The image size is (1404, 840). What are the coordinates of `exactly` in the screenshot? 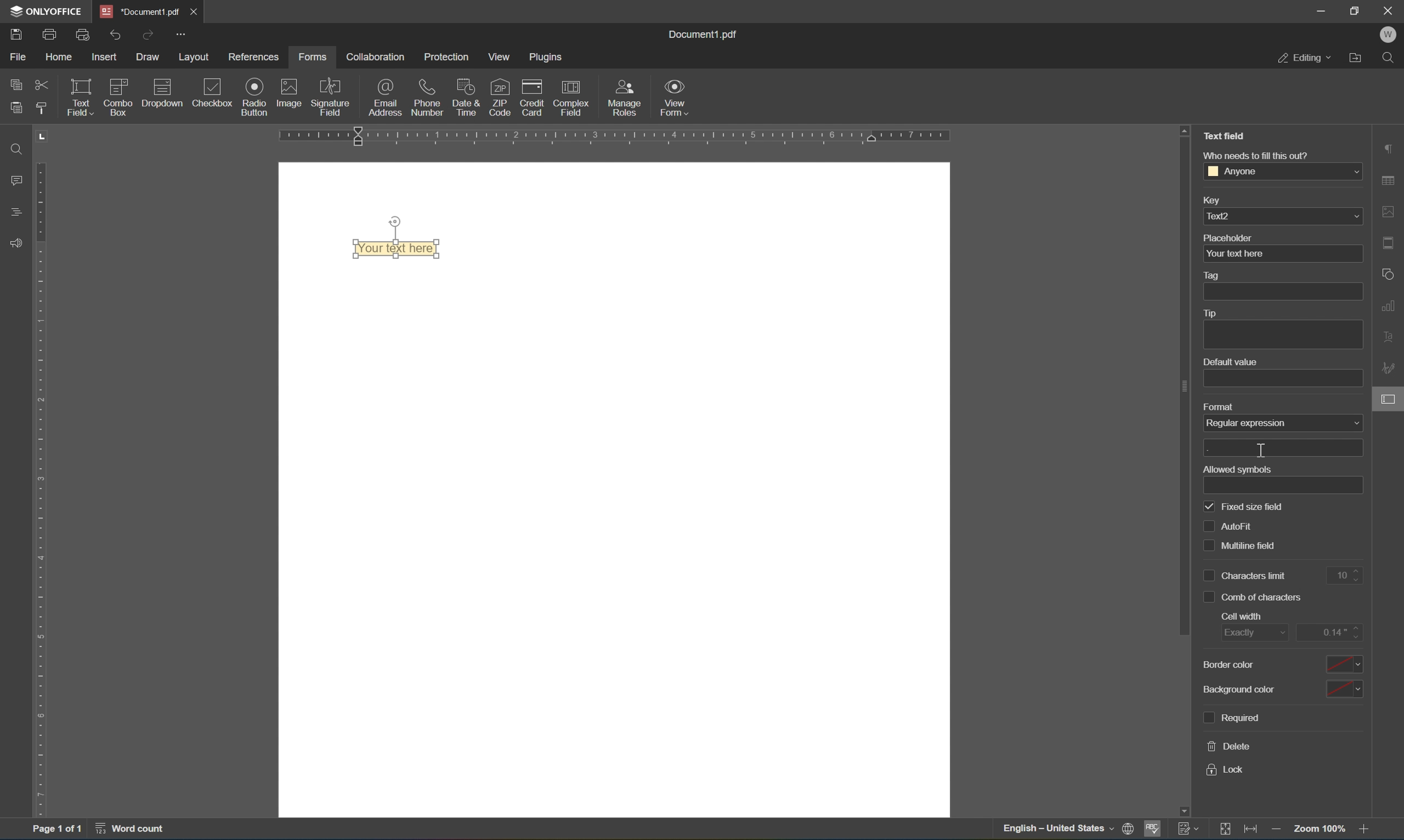 It's located at (1243, 635).